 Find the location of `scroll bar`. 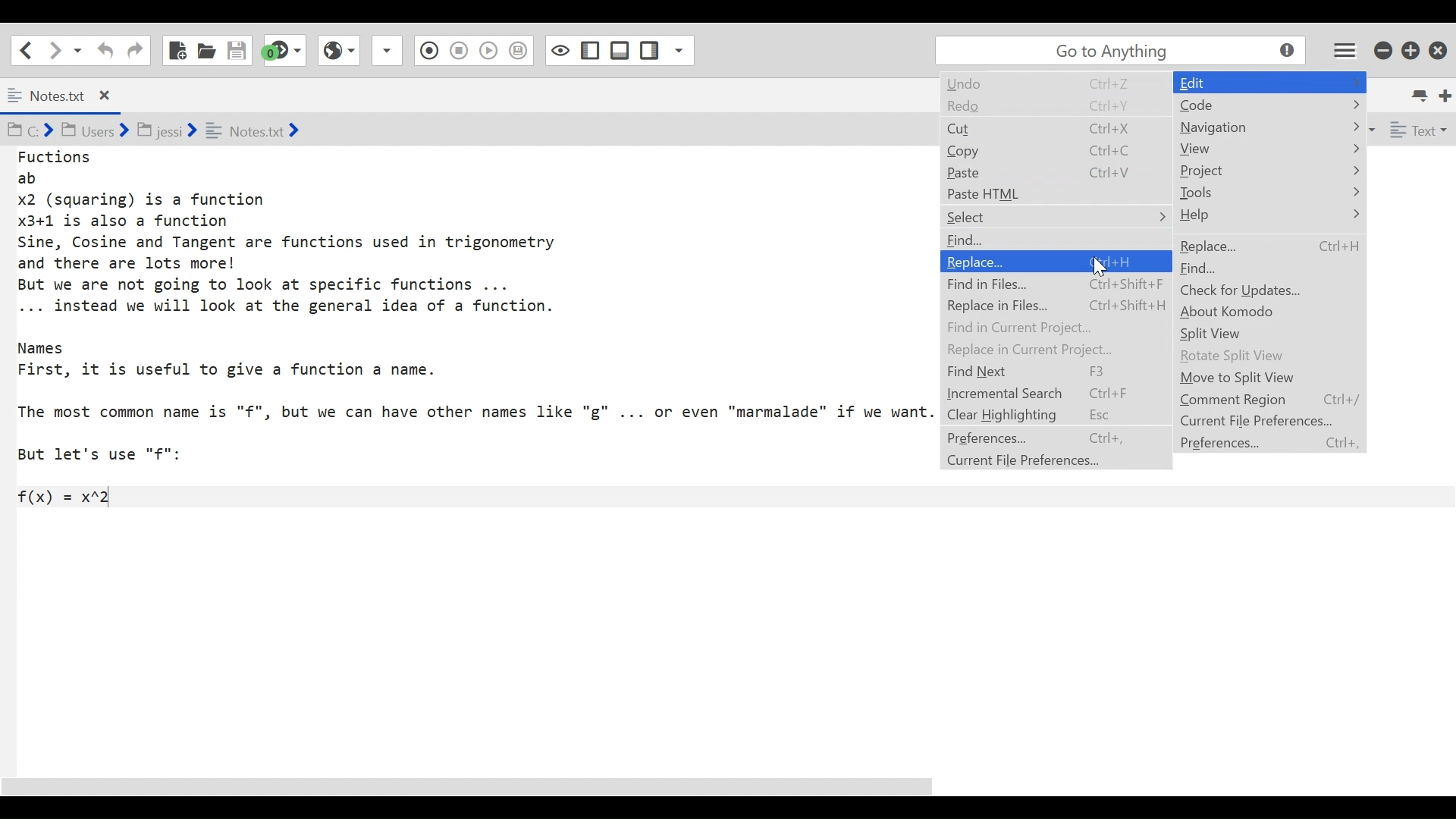

scroll bar is located at coordinates (486, 786).